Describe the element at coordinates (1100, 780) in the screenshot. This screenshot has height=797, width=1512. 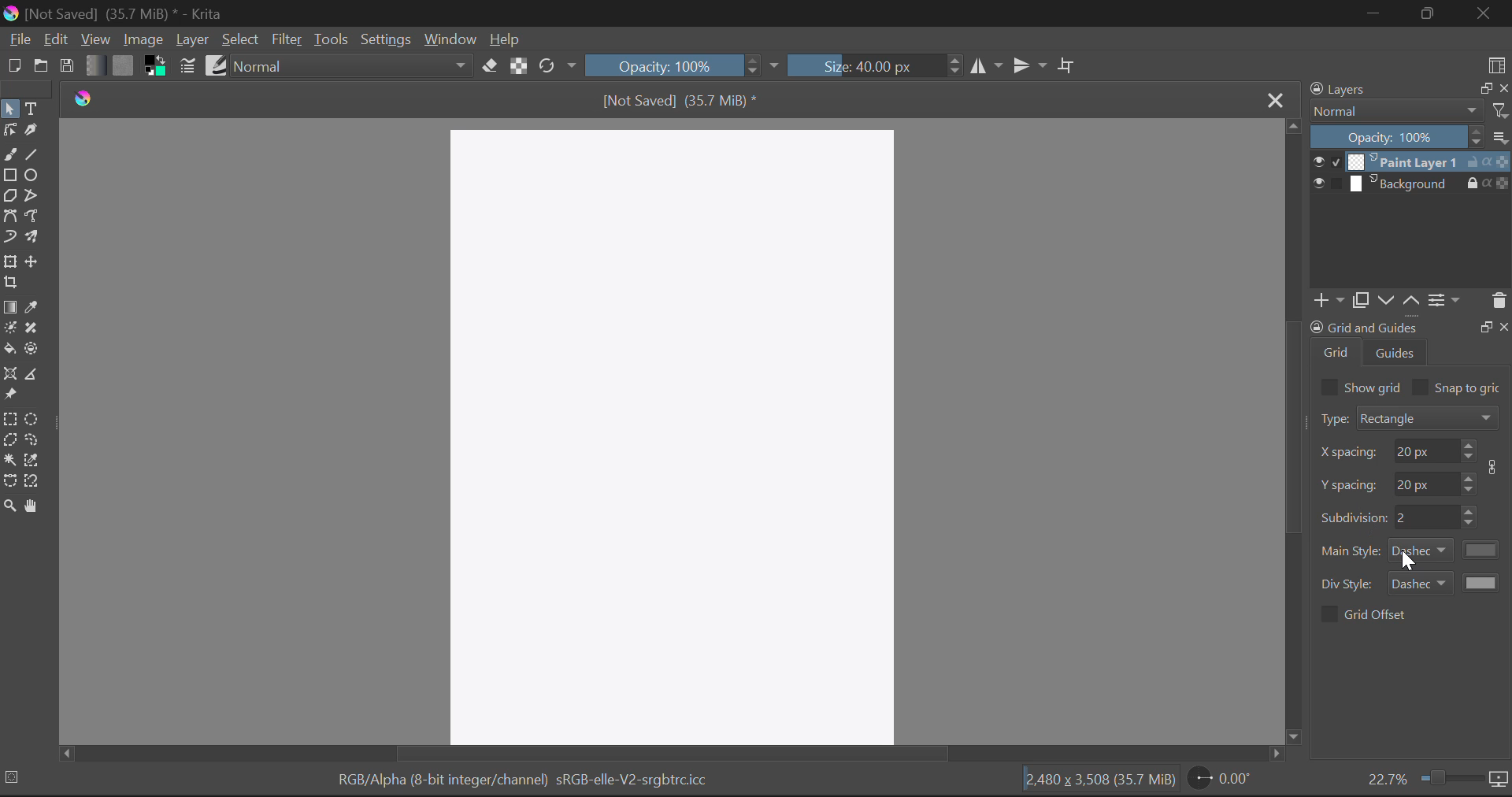
I see `|2.480 x 3,508 (35.7 MiB)` at that location.